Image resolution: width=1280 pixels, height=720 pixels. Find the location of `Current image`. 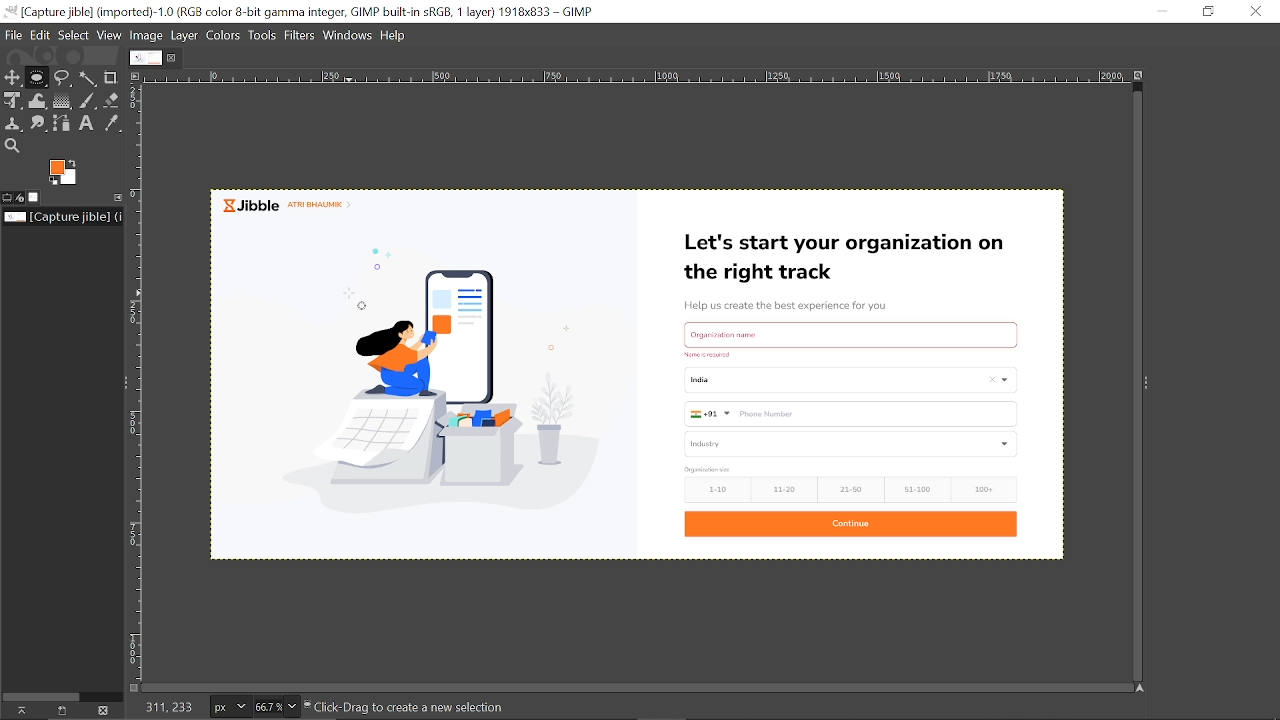

Current image is located at coordinates (643, 372).